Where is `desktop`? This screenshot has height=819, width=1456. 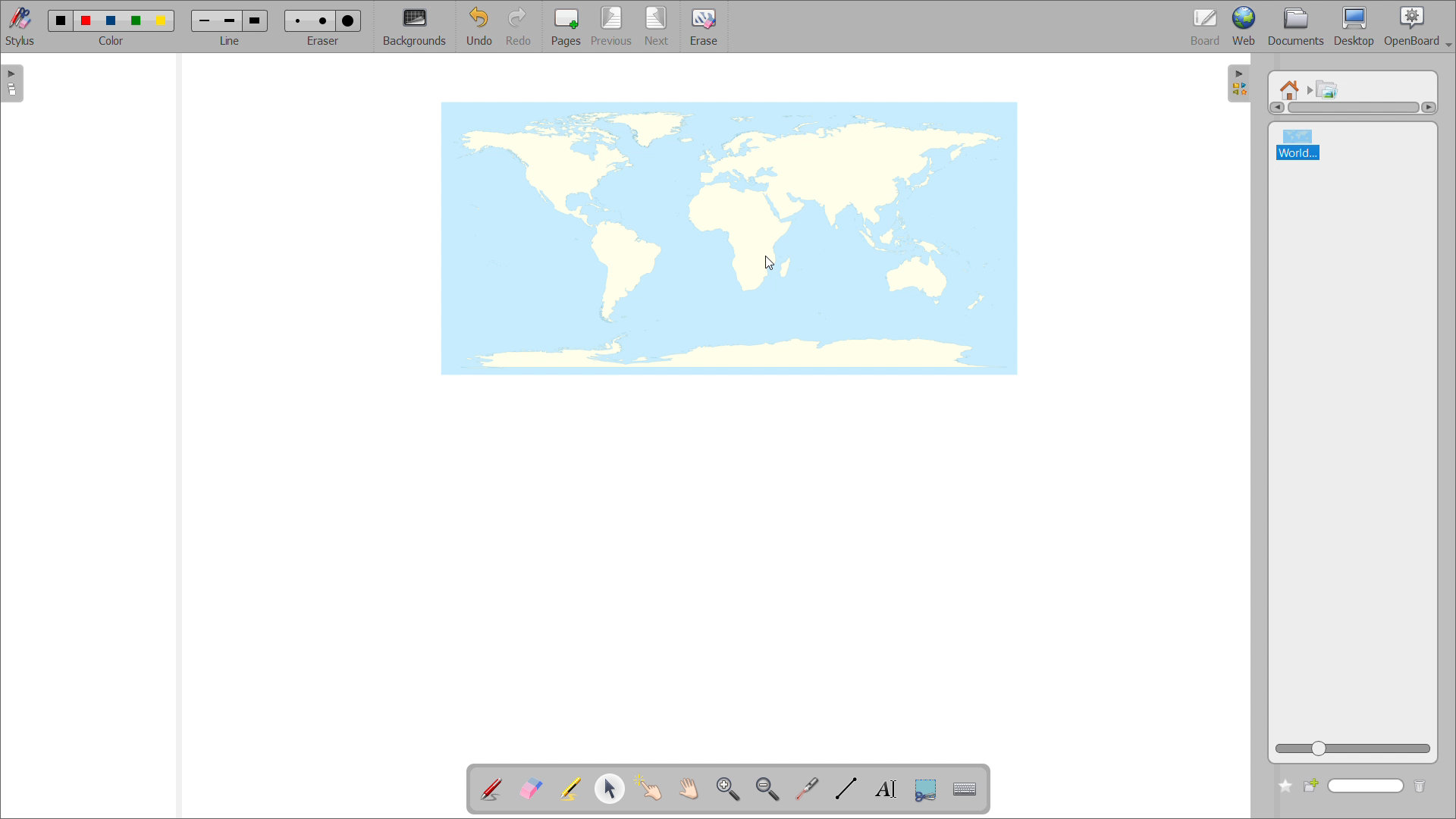 desktop is located at coordinates (1354, 27).